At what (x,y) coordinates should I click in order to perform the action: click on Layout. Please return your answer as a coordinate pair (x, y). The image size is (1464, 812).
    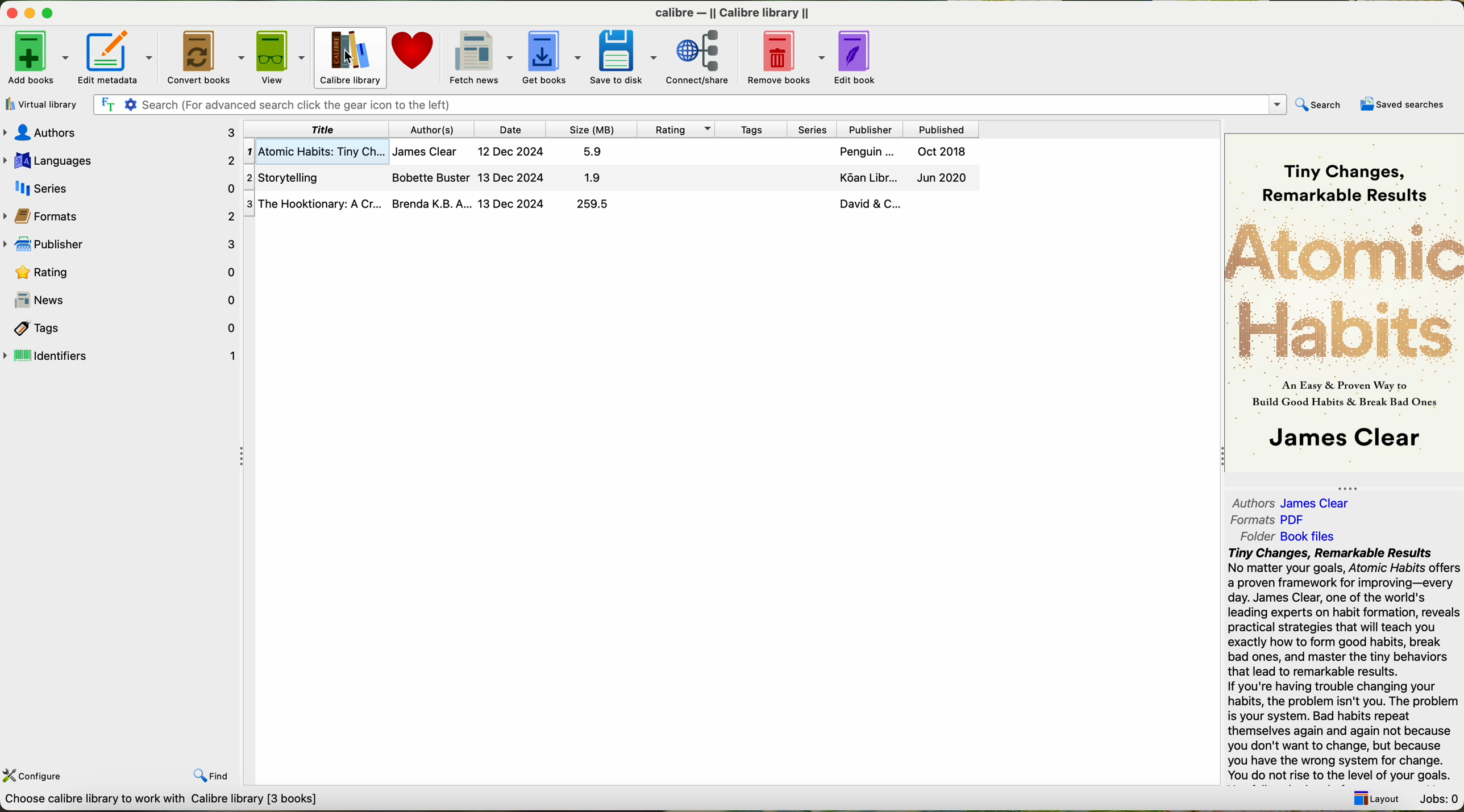
    Looking at the image, I should click on (1373, 795).